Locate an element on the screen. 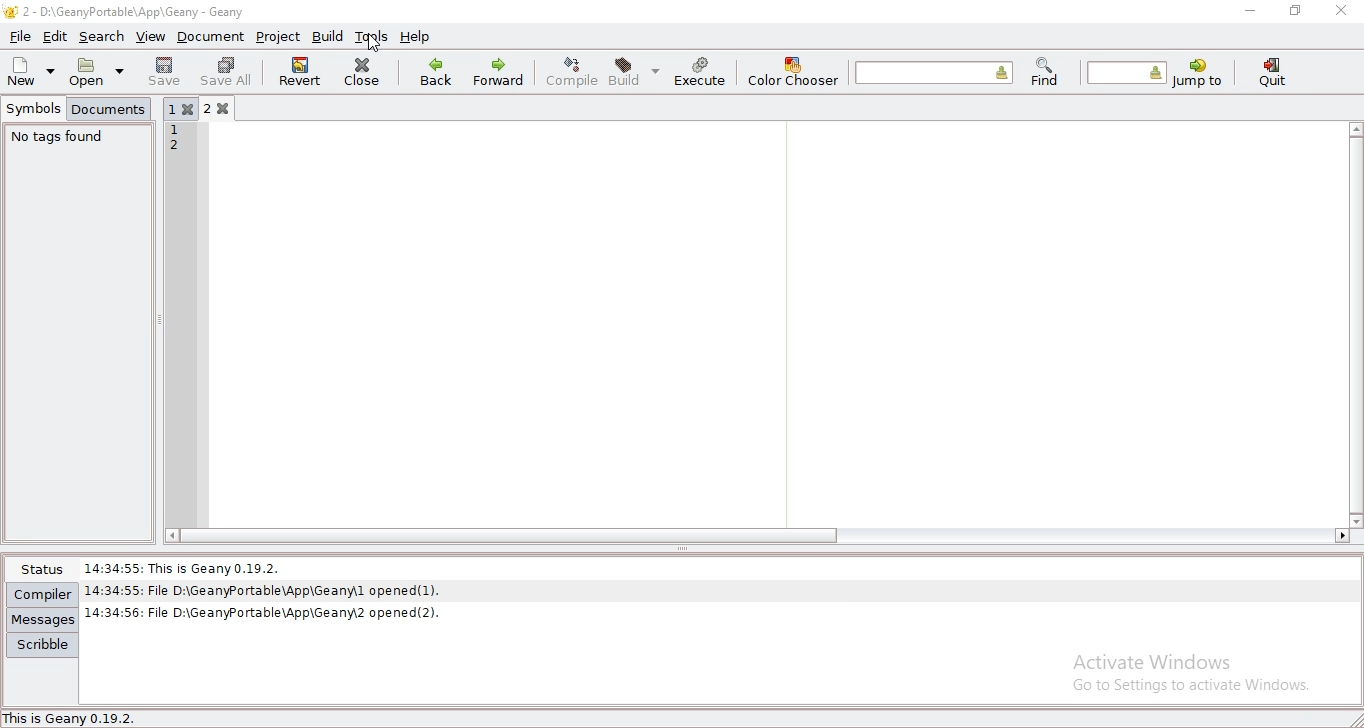 The image size is (1364, 728). project is located at coordinates (278, 37).